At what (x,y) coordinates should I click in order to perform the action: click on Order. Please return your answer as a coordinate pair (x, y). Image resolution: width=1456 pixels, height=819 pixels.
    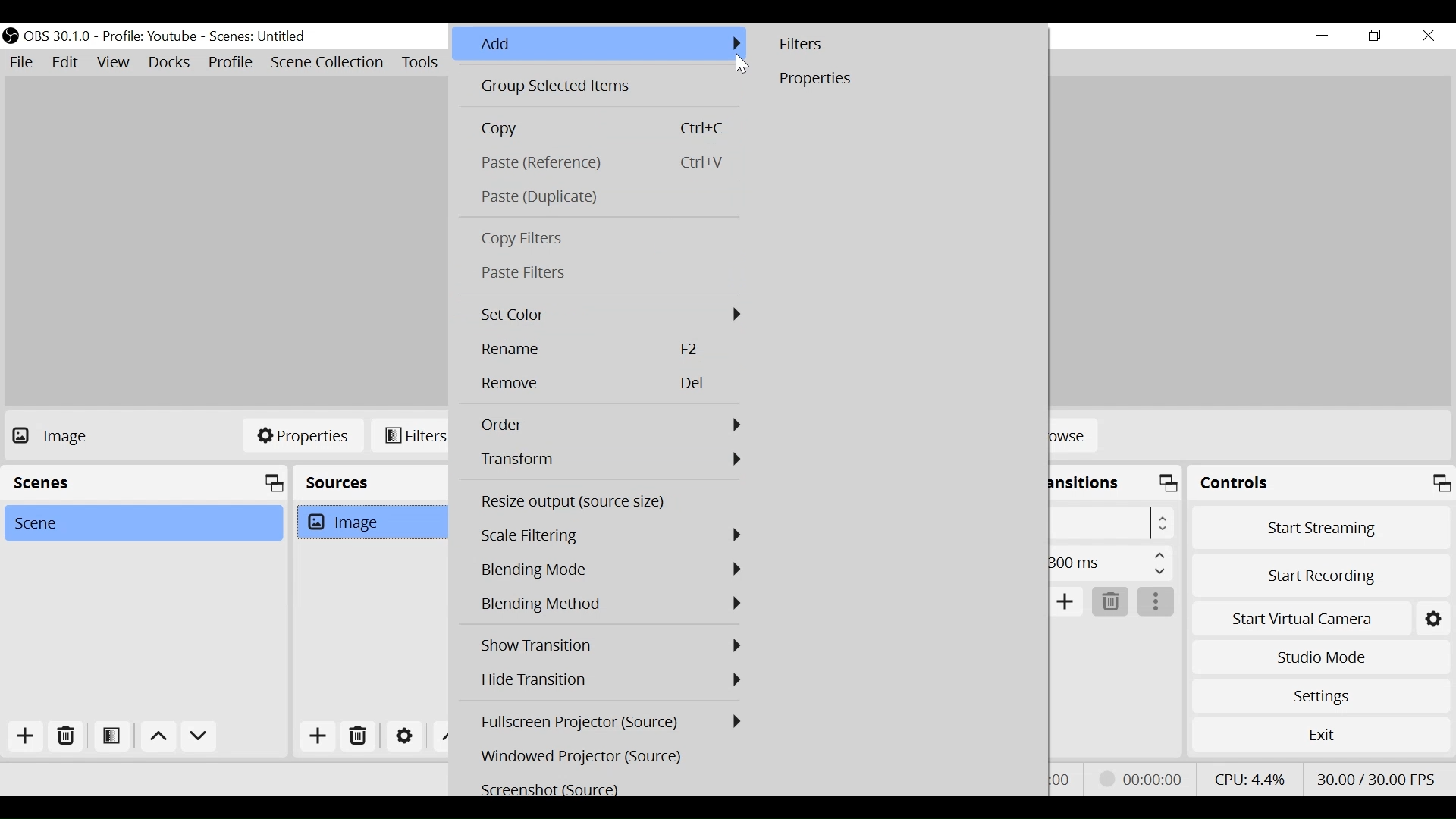
    Looking at the image, I should click on (611, 425).